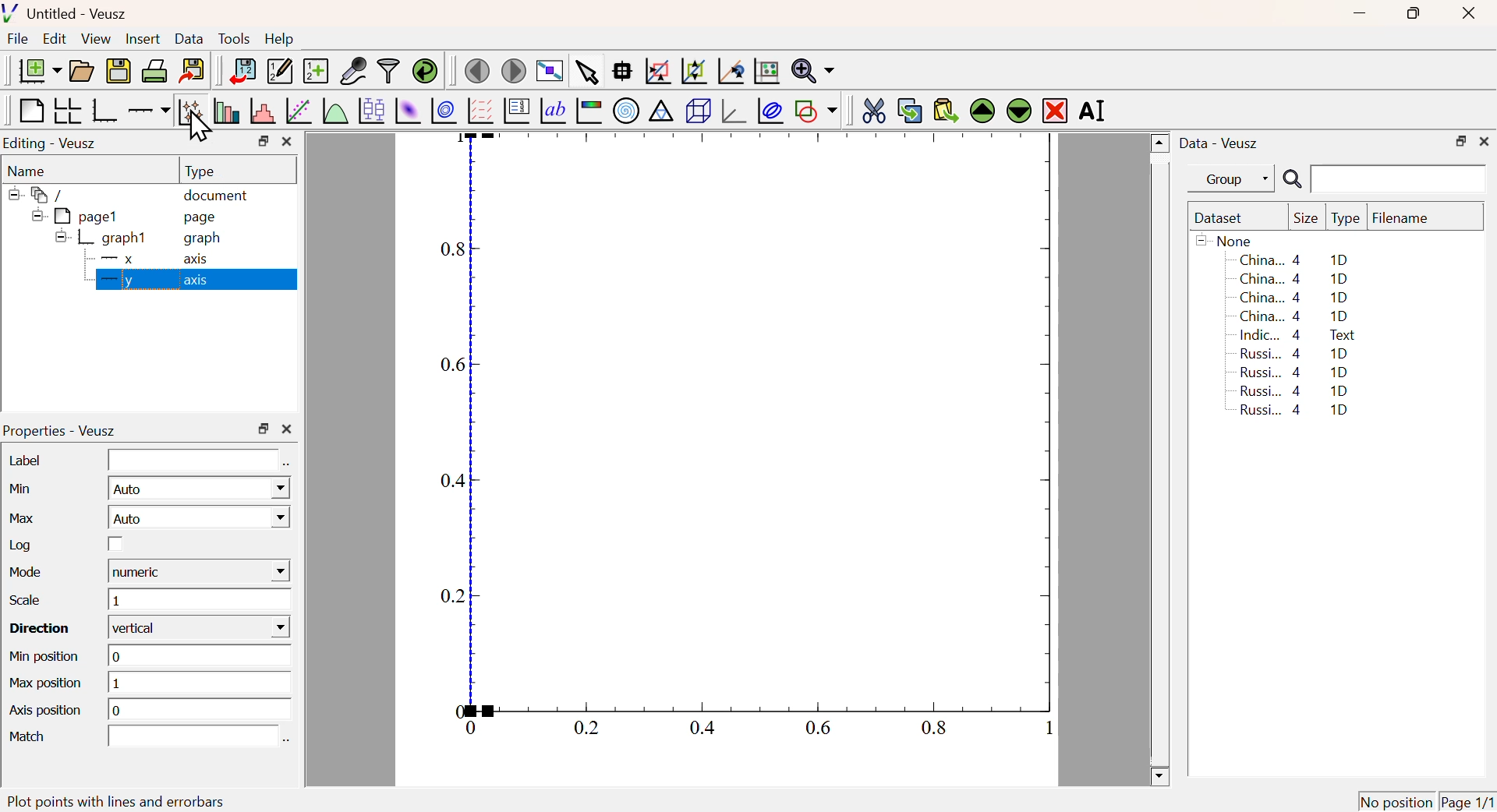  Describe the element at coordinates (148, 112) in the screenshot. I see `Add an axis to a plot` at that location.